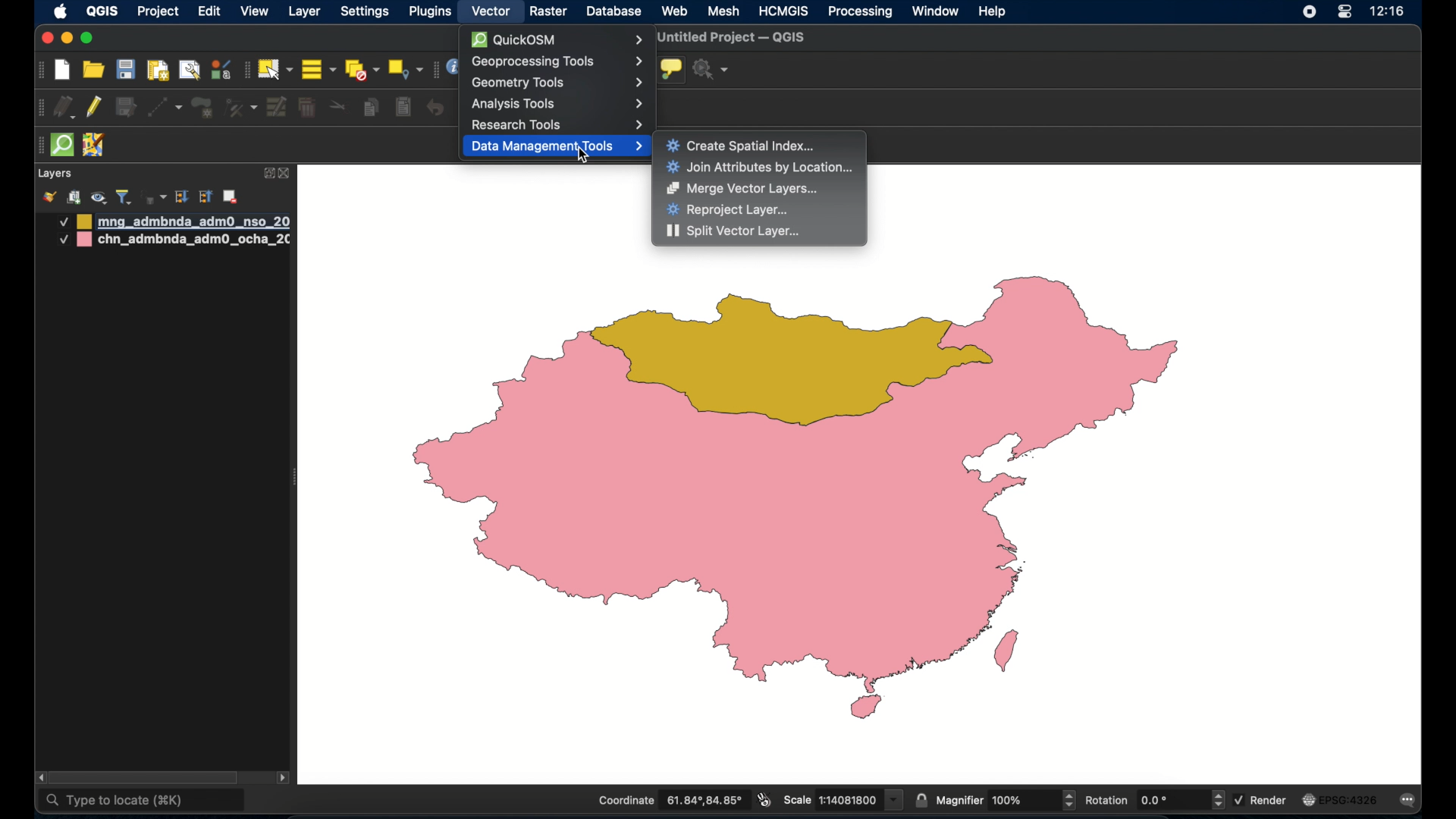 The height and width of the screenshot is (819, 1456). What do you see at coordinates (49, 197) in the screenshot?
I see `open layer styling panel` at bounding box center [49, 197].